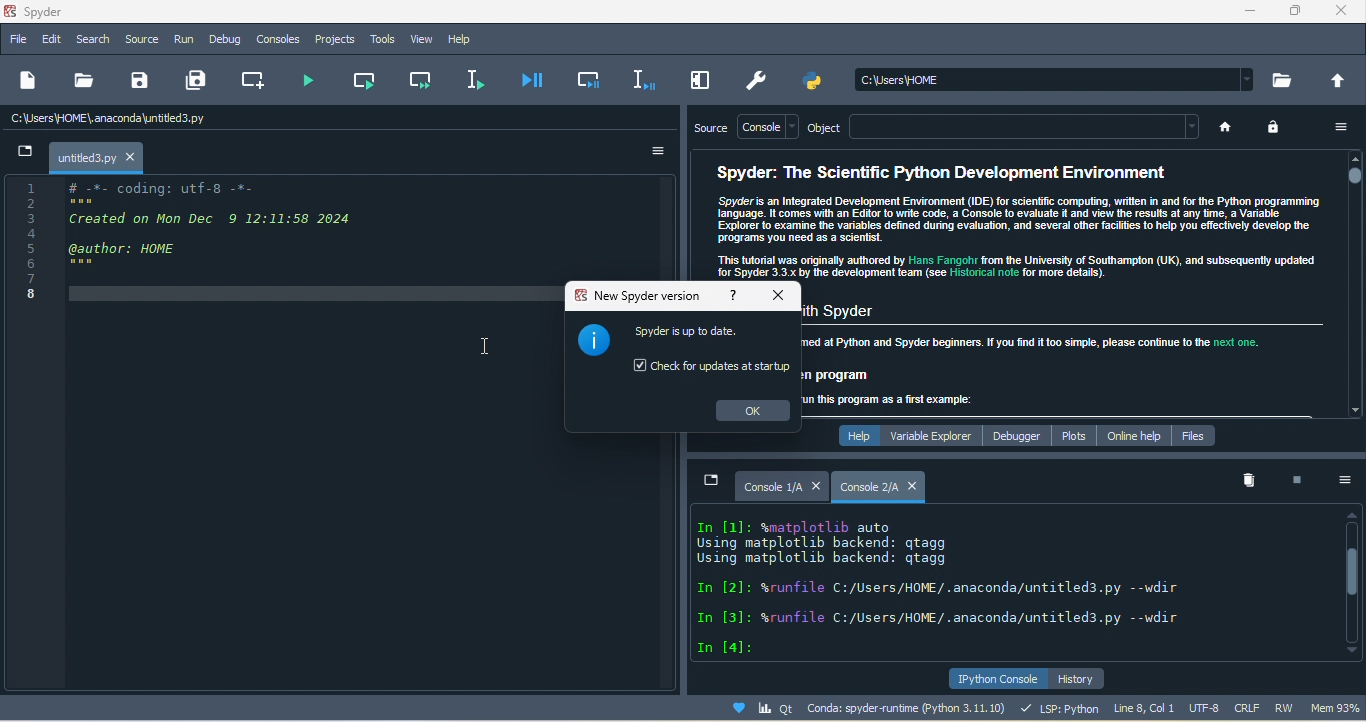 This screenshot has height=722, width=1366. What do you see at coordinates (816, 484) in the screenshot?
I see `close` at bounding box center [816, 484].